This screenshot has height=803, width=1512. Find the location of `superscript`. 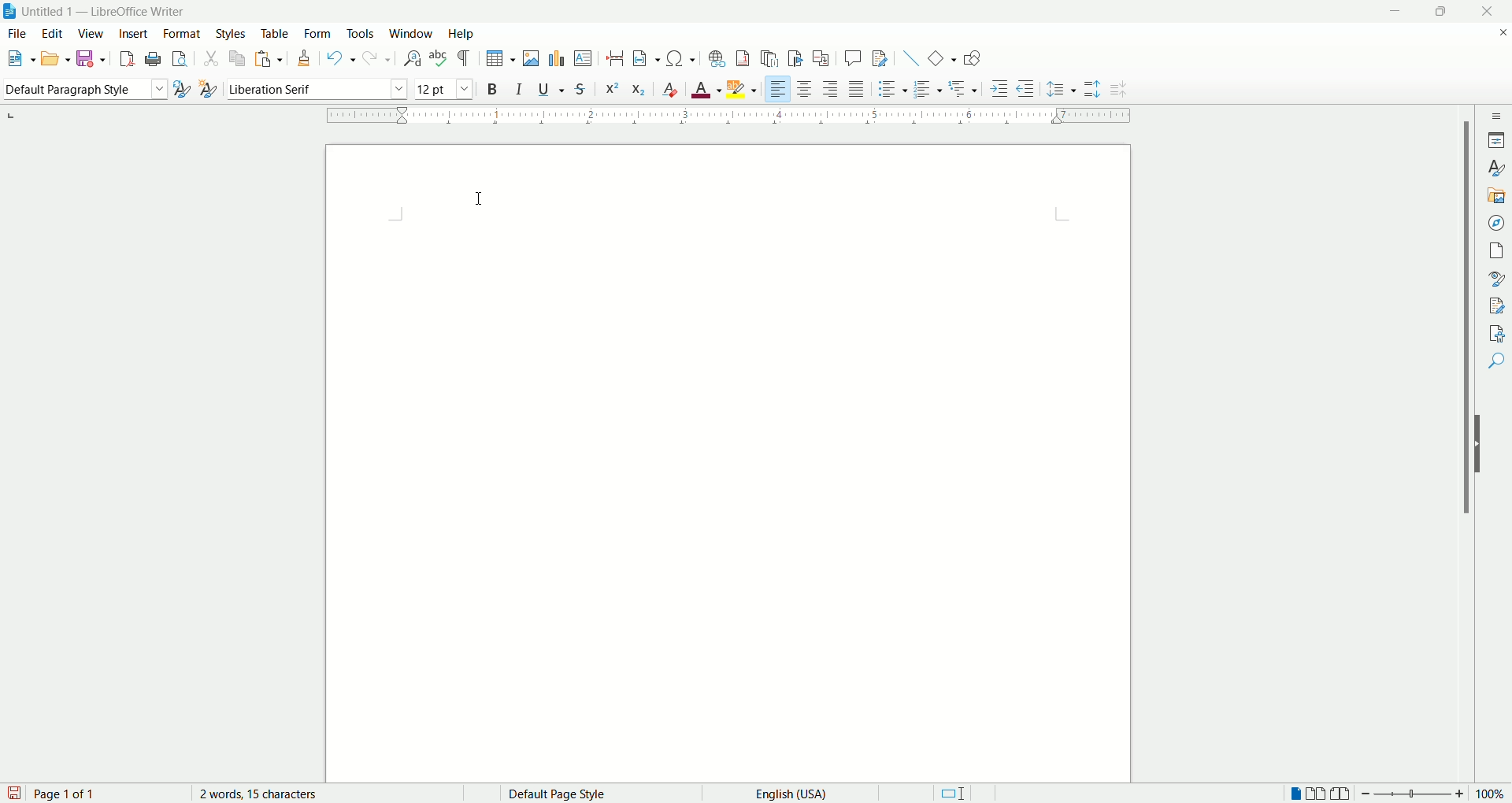

superscript is located at coordinates (608, 89).